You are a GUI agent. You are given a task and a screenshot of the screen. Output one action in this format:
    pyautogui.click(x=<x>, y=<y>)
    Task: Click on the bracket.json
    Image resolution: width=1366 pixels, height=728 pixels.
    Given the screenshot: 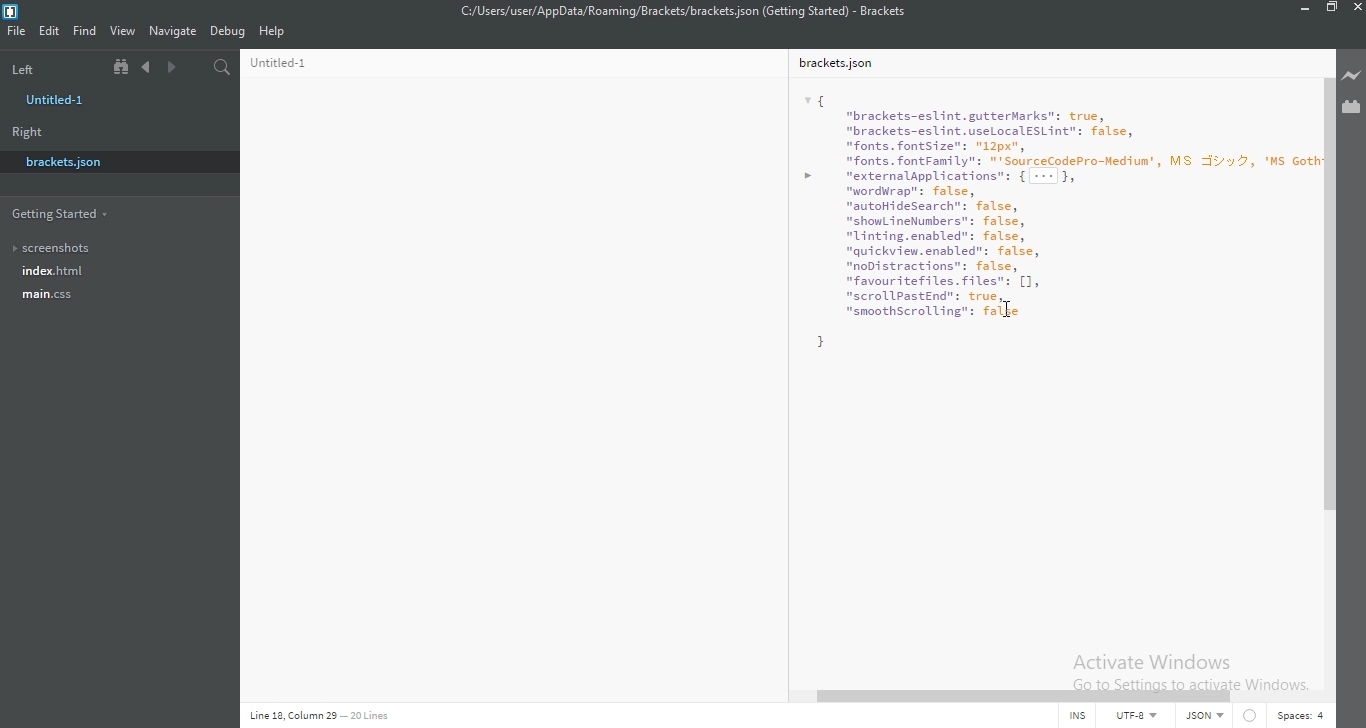 What is the action you would take?
    pyautogui.click(x=511, y=369)
    